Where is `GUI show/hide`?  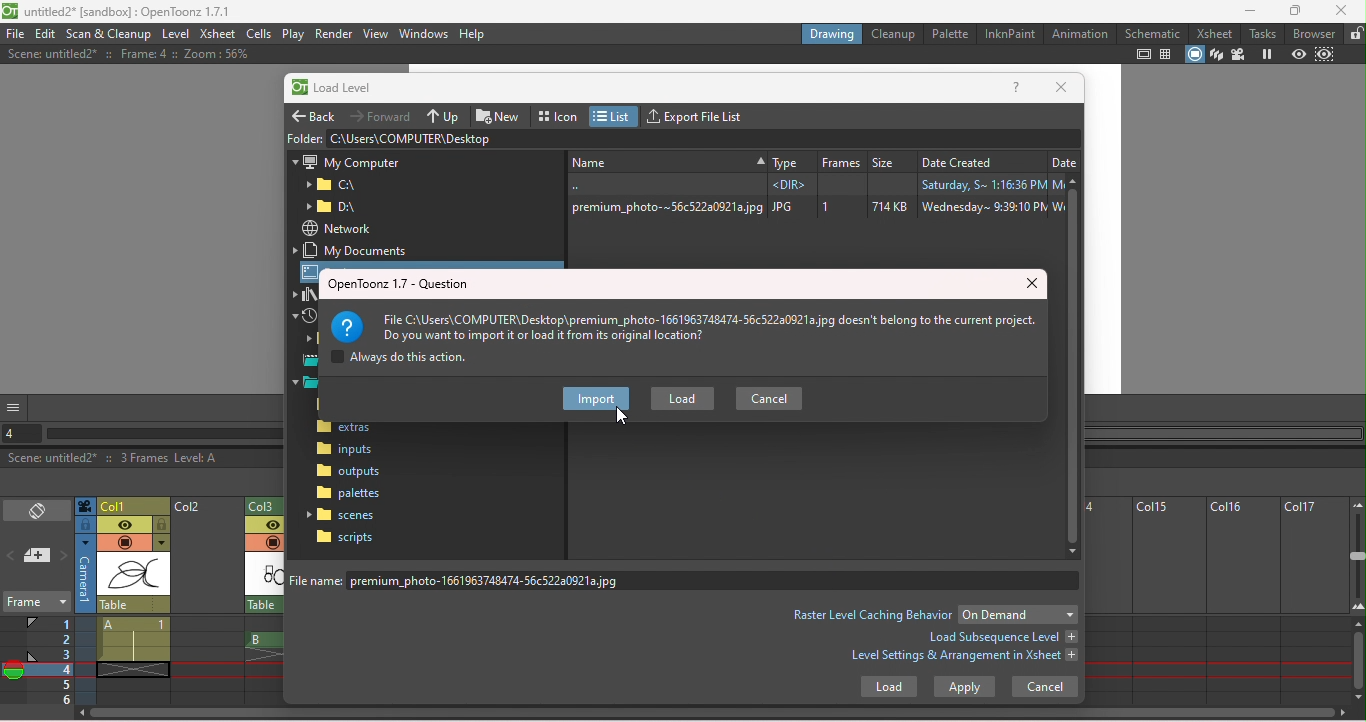
GUI show/hide is located at coordinates (15, 407).